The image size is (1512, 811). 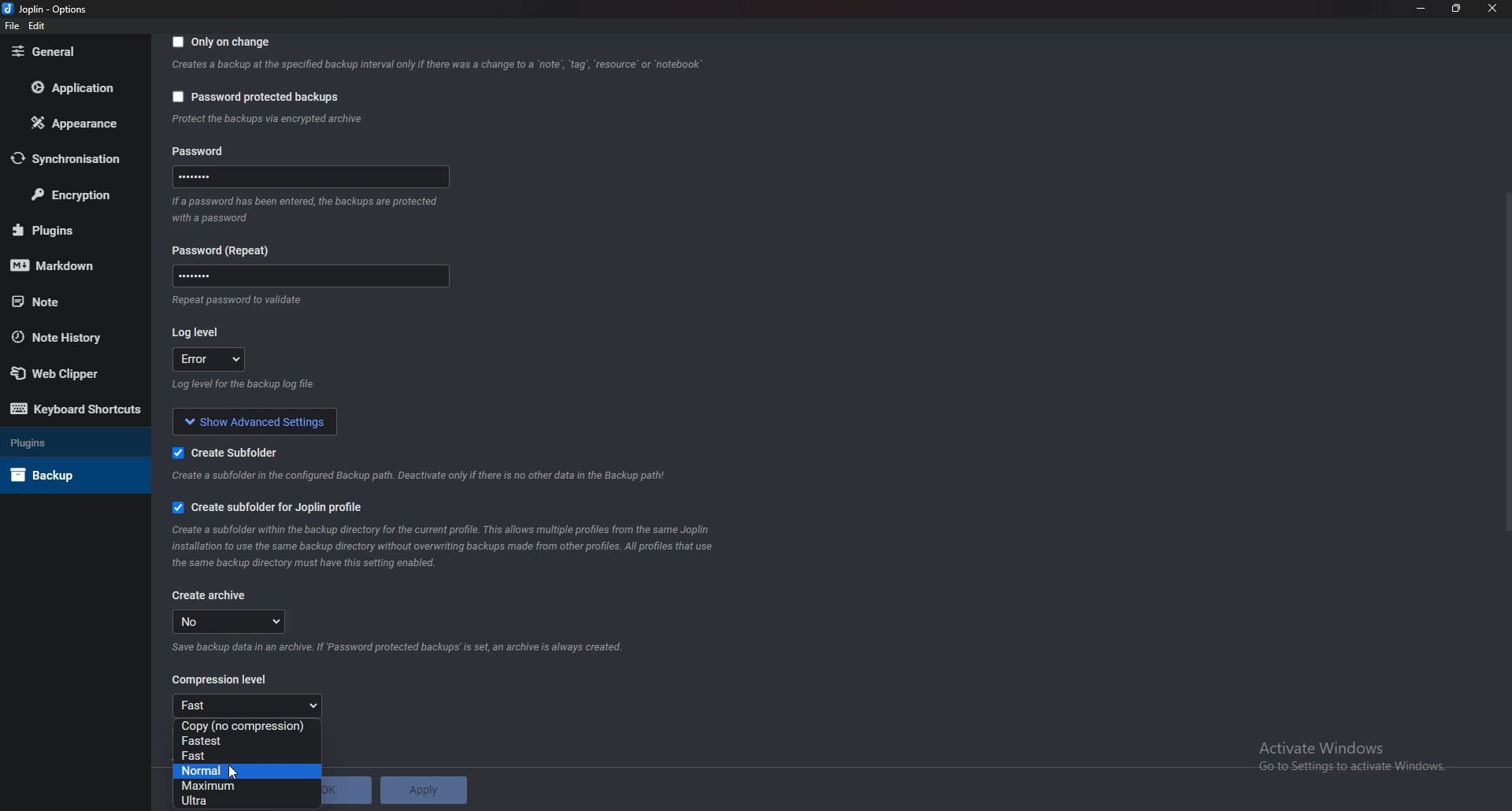 I want to click on note, so click(x=69, y=302).